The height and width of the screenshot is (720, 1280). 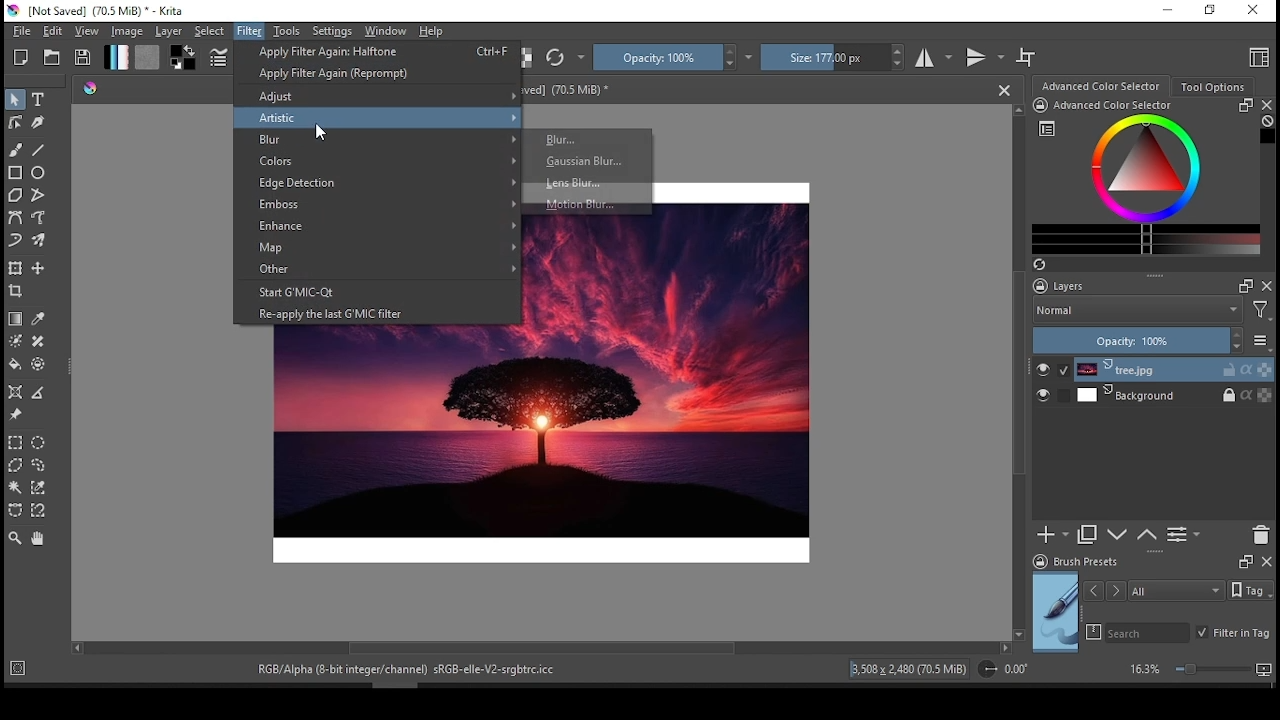 What do you see at coordinates (40, 99) in the screenshot?
I see `text tool` at bounding box center [40, 99].